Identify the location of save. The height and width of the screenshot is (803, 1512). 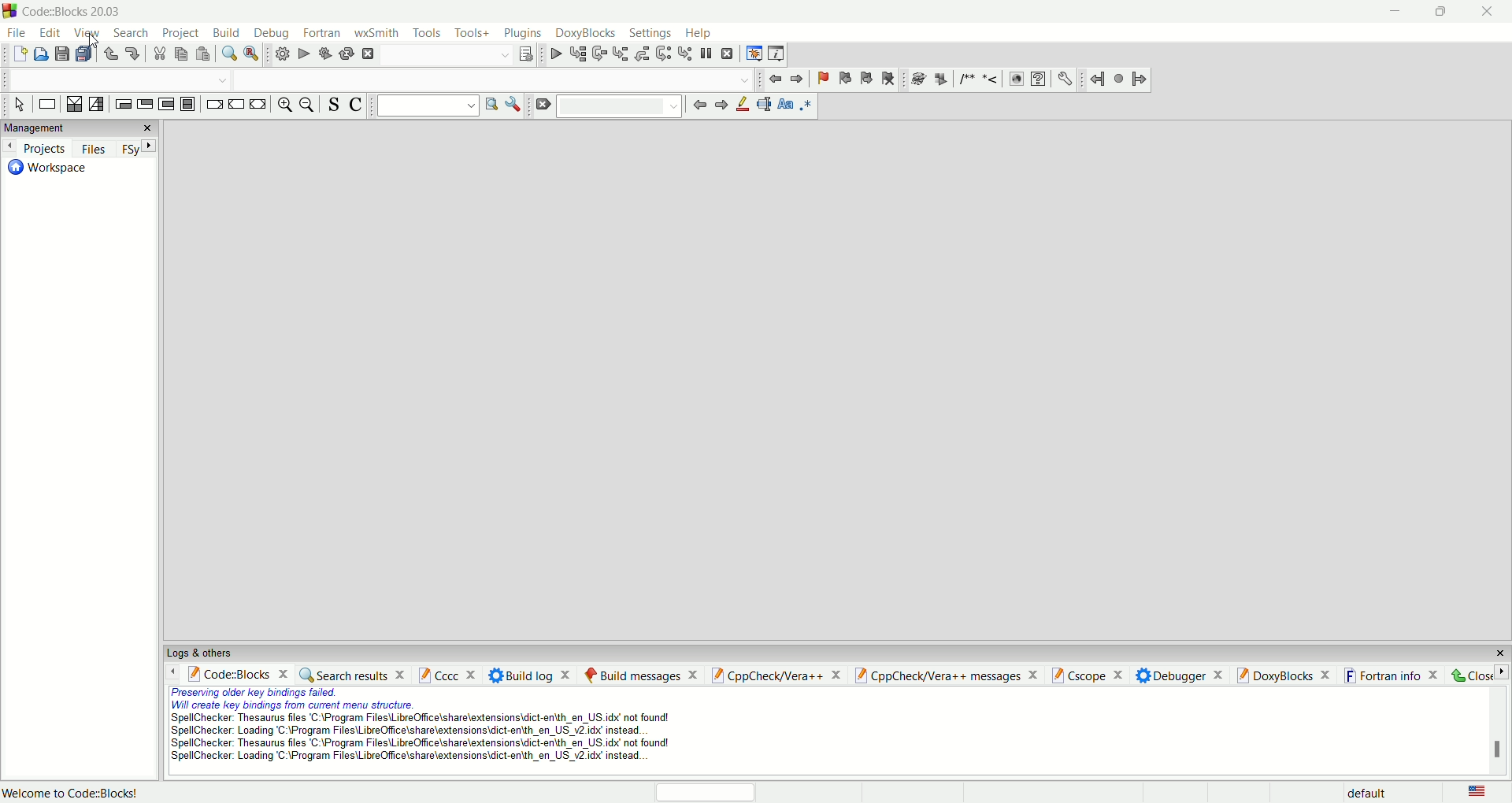
(63, 56).